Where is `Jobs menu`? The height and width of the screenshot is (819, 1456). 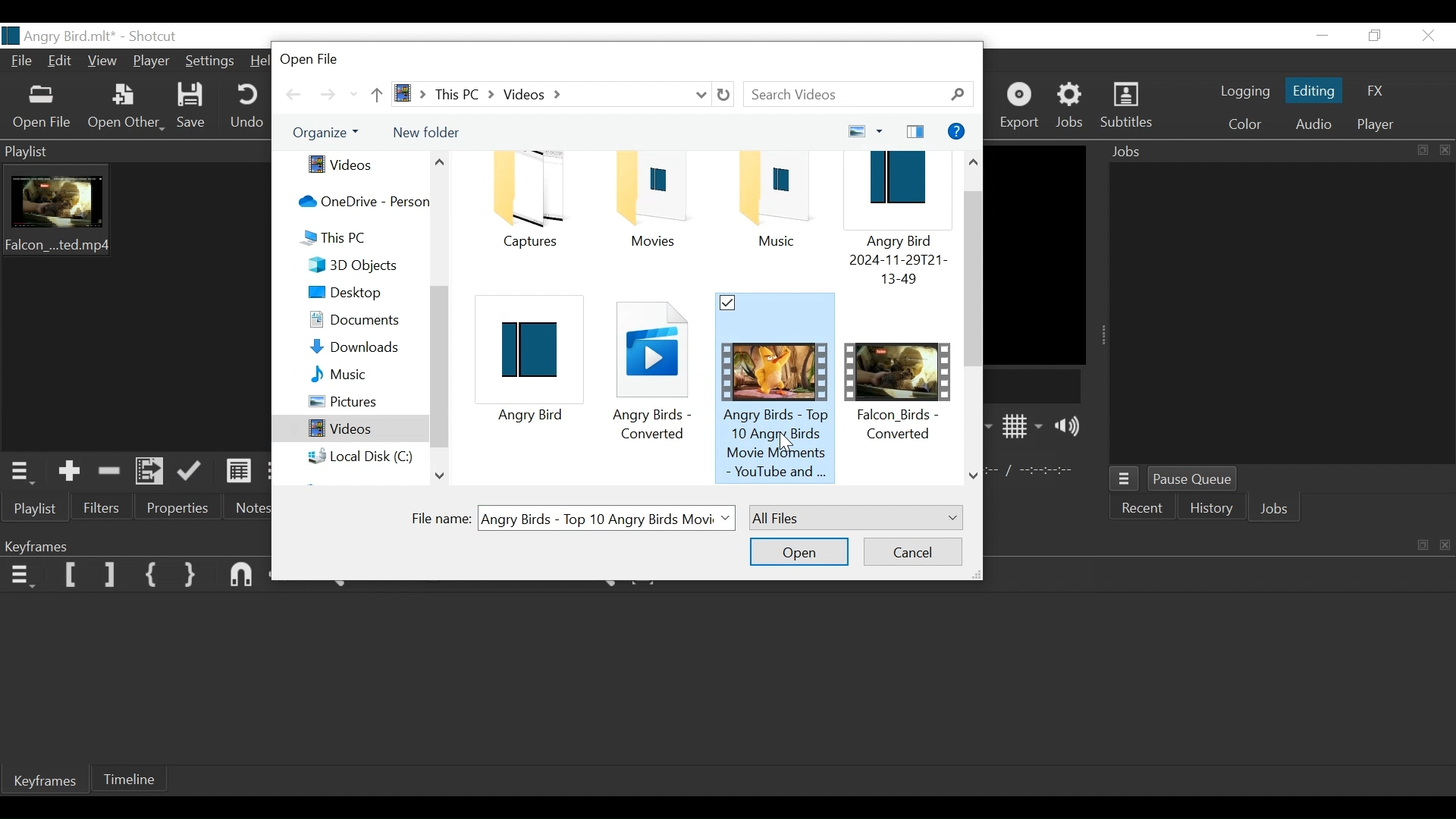 Jobs menu is located at coordinates (1125, 479).